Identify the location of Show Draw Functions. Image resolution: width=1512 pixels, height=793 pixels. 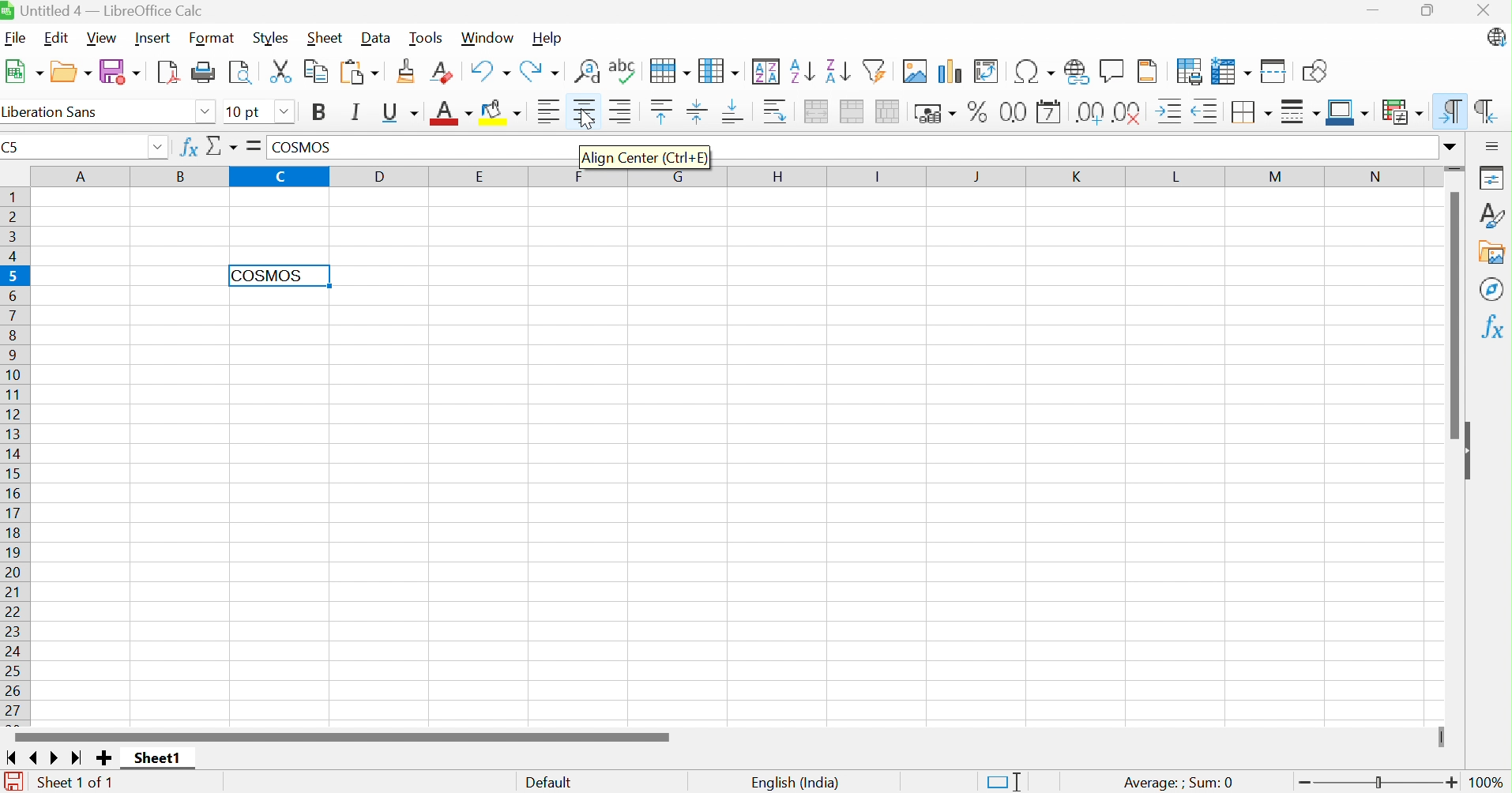
(1316, 73).